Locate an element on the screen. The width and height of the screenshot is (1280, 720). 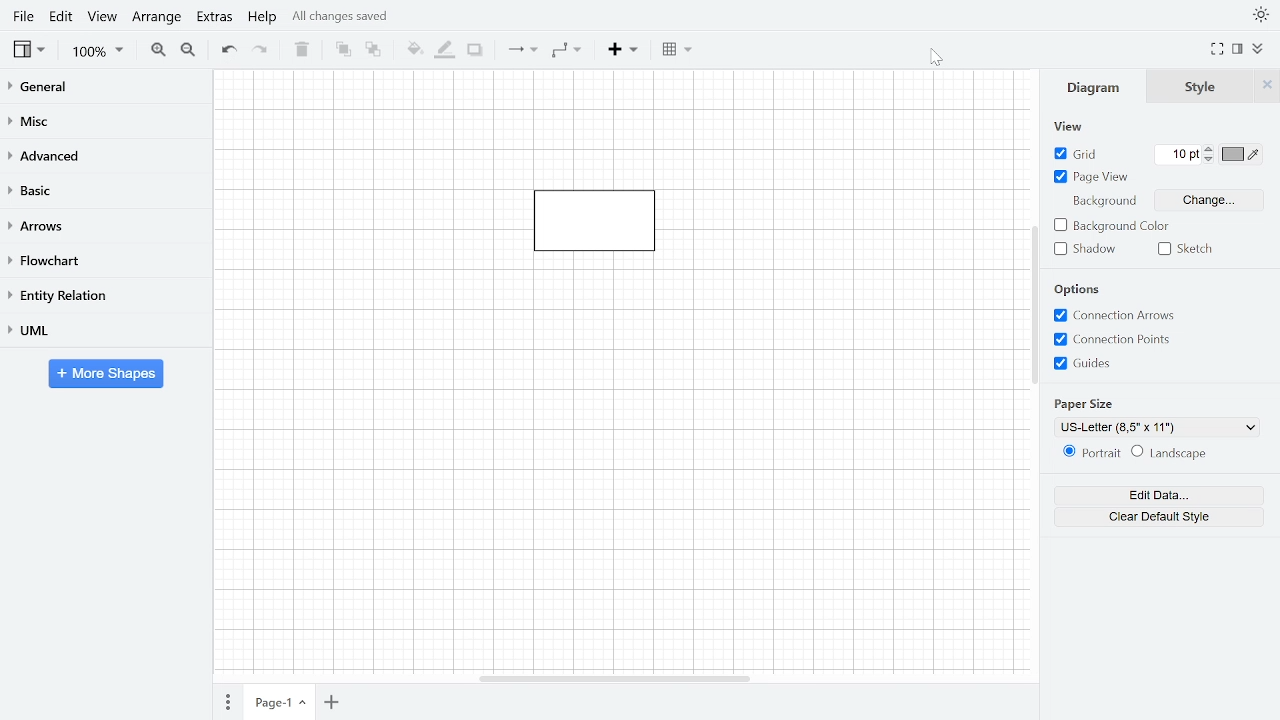
View is located at coordinates (31, 51).